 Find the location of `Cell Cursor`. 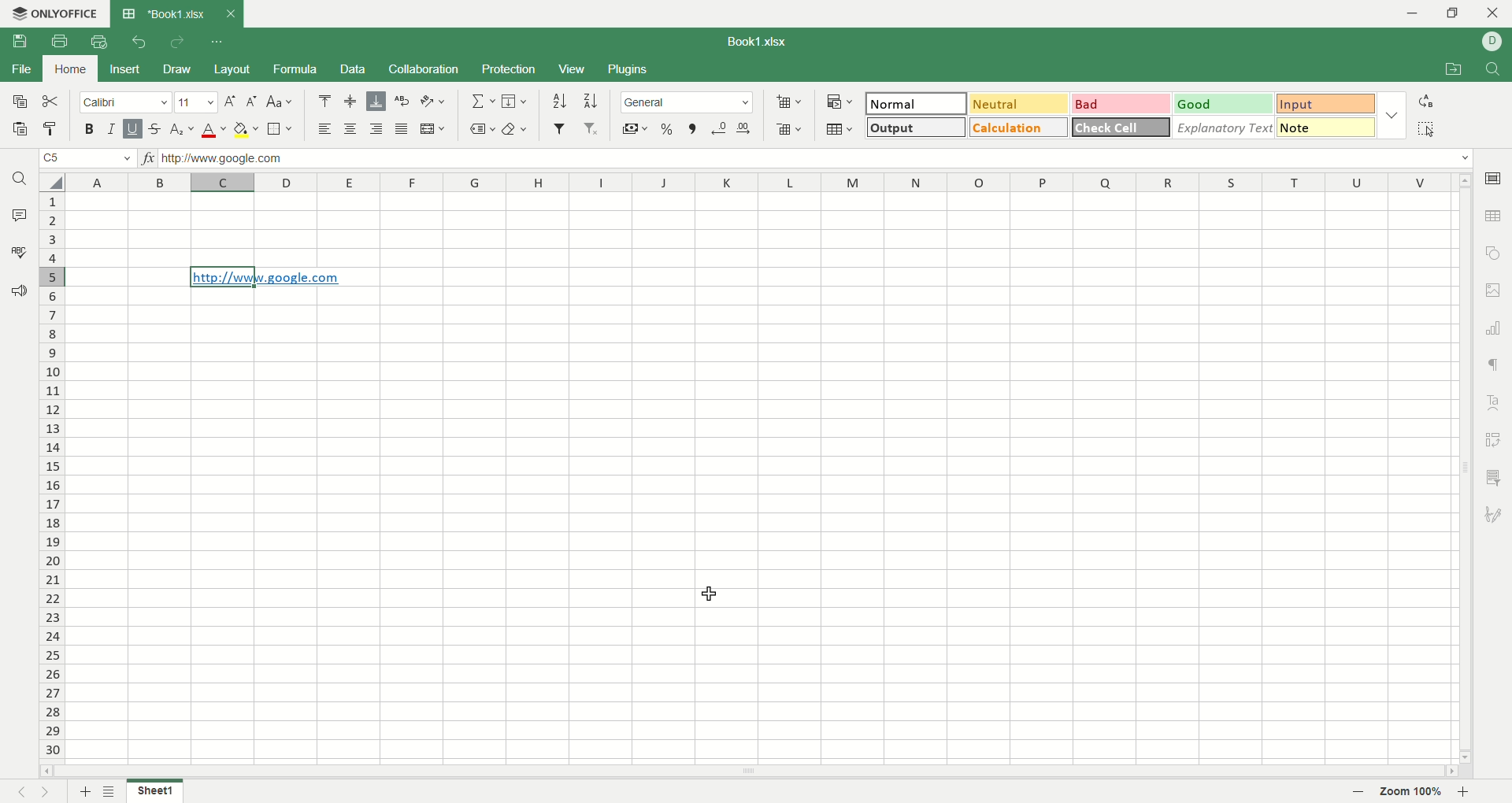

Cell Cursor is located at coordinates (705, 593).